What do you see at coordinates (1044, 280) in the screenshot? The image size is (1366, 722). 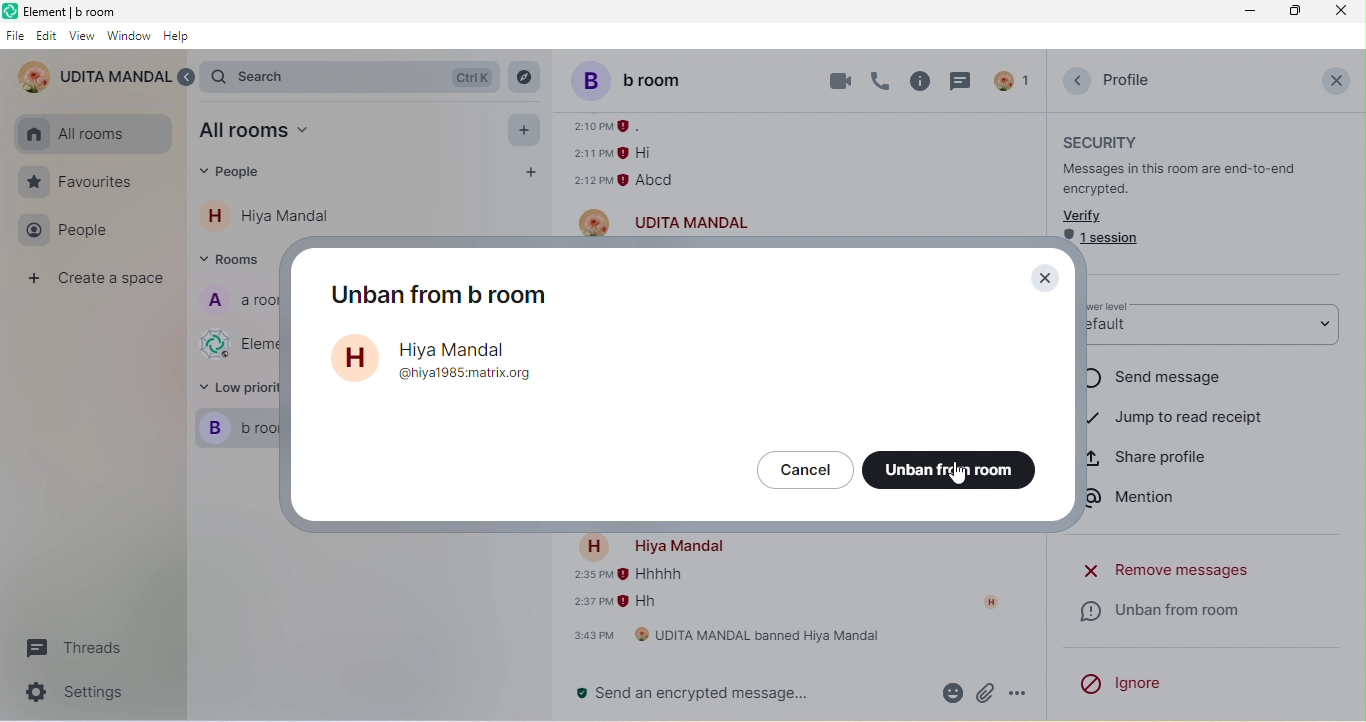 I see `close` at bounding box center [1044, 280].